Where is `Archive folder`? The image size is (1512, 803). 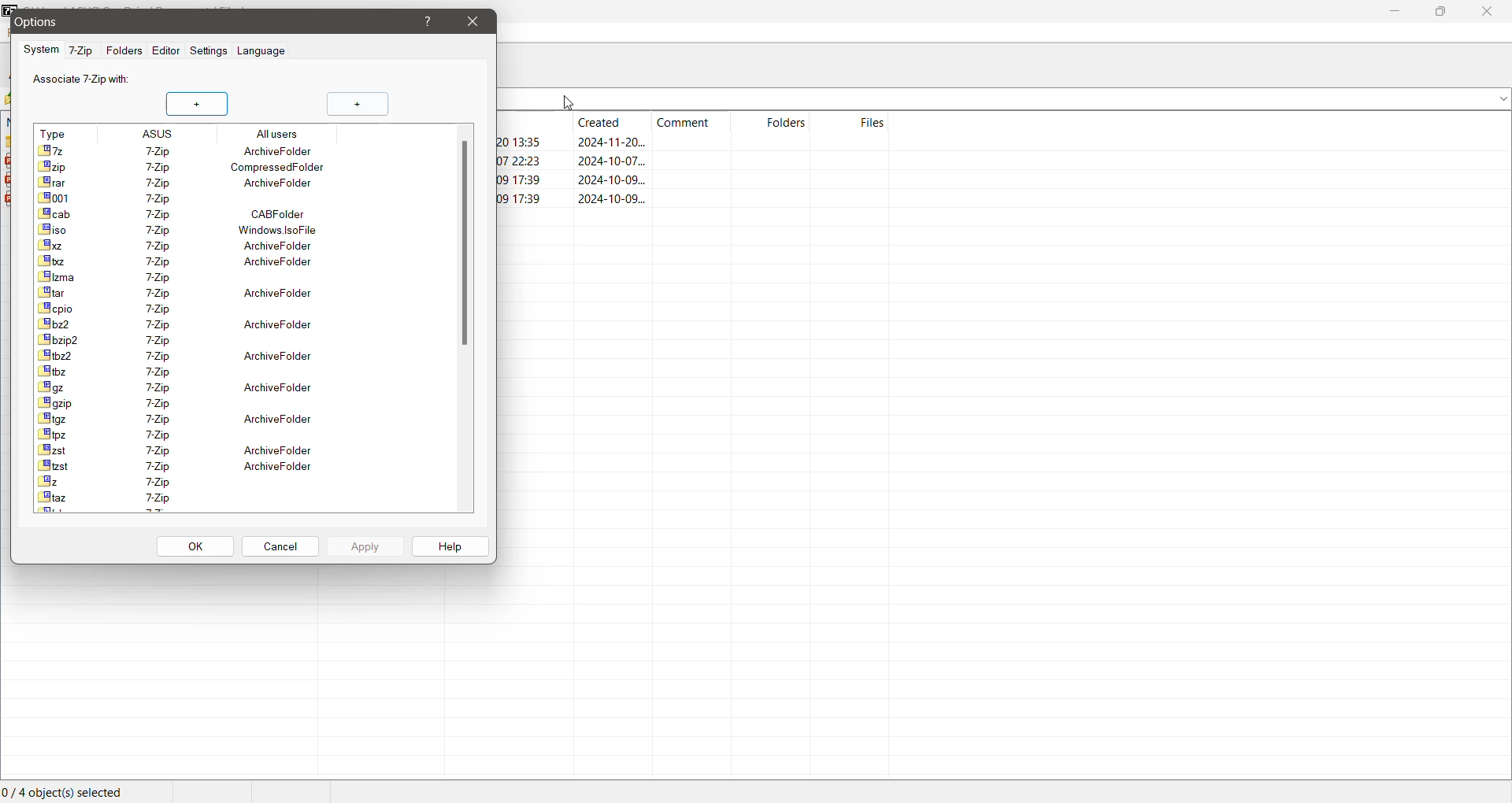 Archive folder is located at coordinates (210, 150).